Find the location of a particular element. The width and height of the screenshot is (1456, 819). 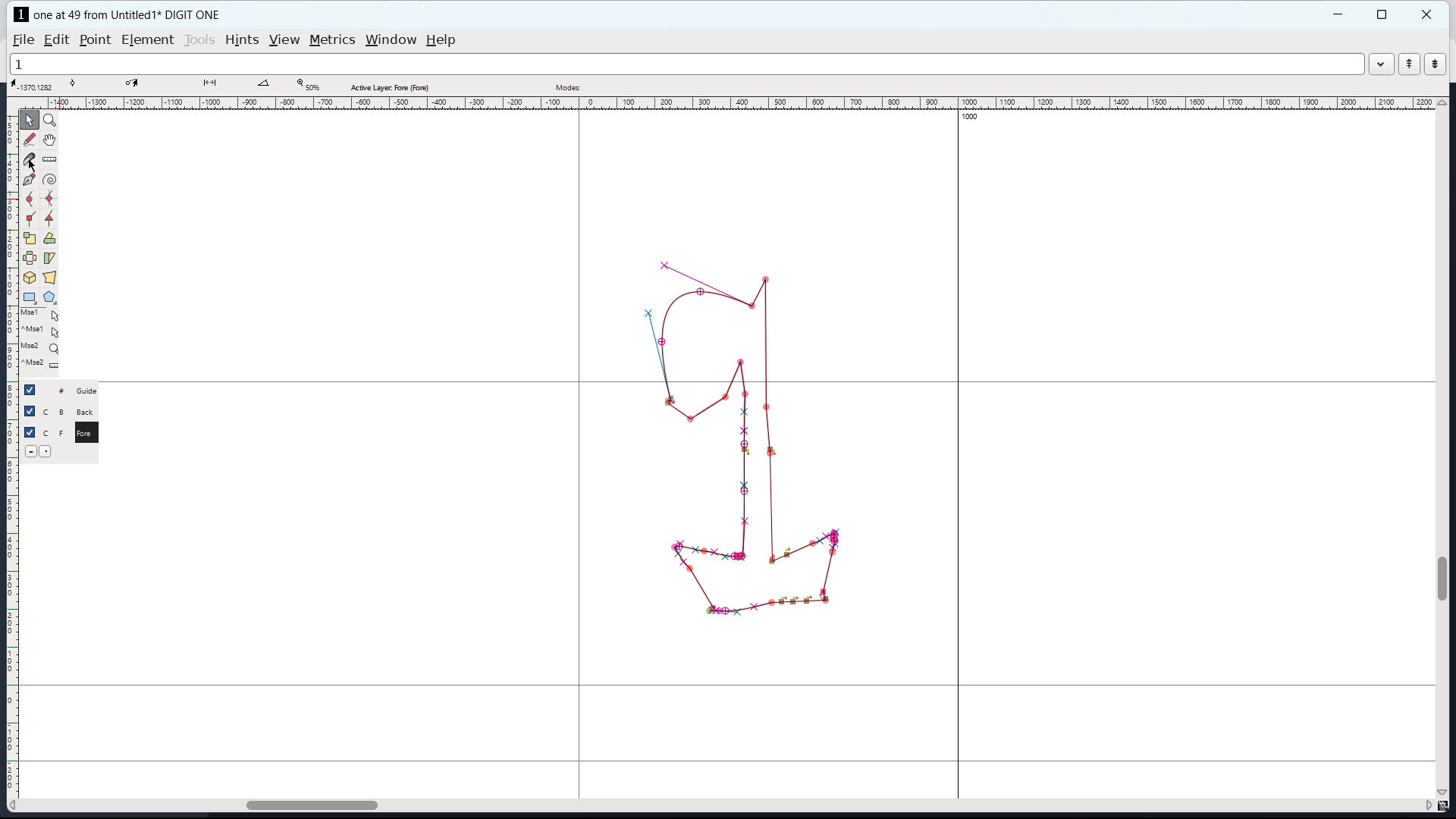

is layer visible is located at coordinates (30, 390).